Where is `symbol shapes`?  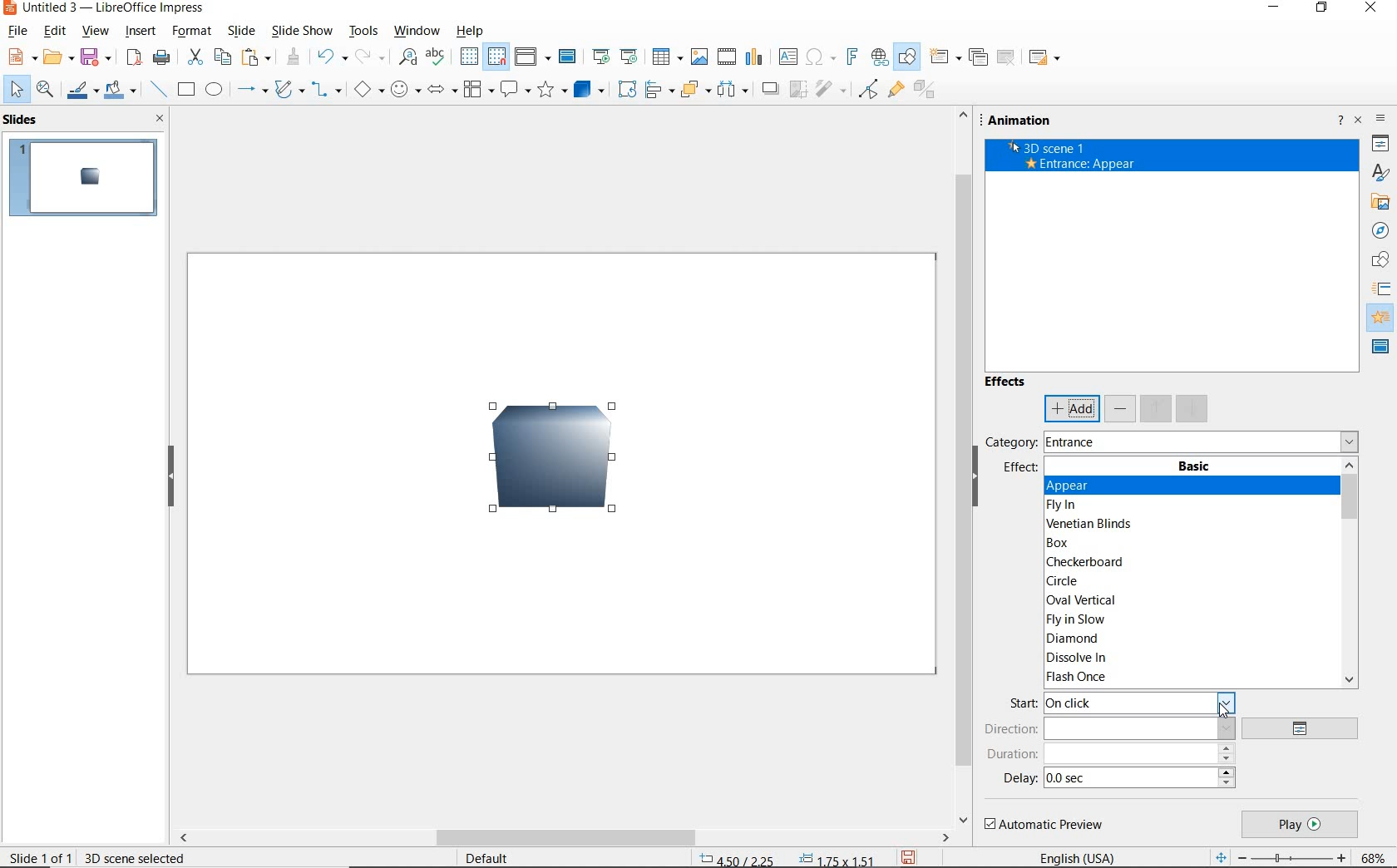
symbol shapes is located at coordinates (404, 90).